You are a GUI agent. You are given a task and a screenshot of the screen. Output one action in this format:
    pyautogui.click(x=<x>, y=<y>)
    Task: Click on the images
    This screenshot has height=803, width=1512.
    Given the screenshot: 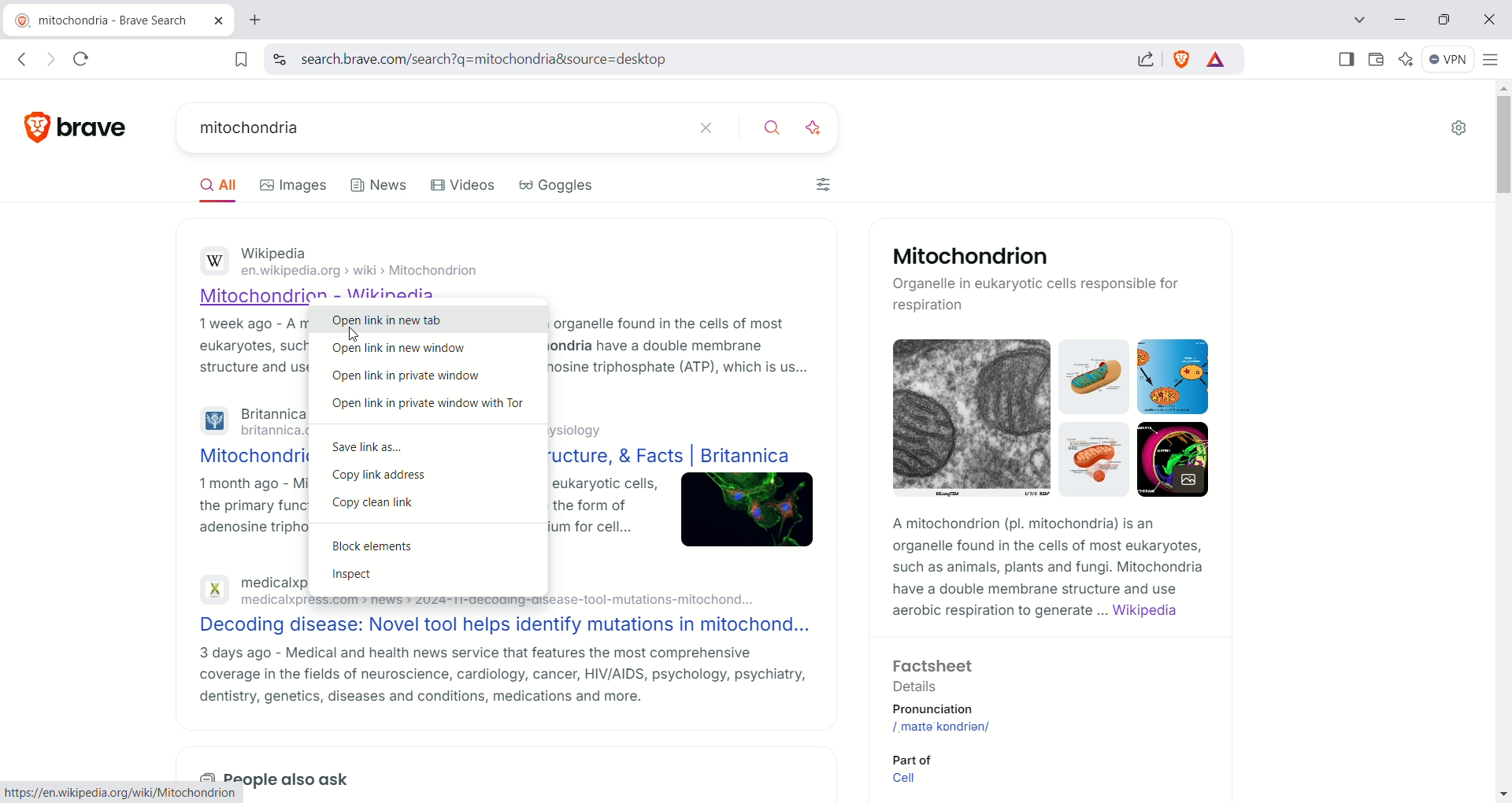 What is the action you would take?
    pyautogui.click(x=295, y=186)
    